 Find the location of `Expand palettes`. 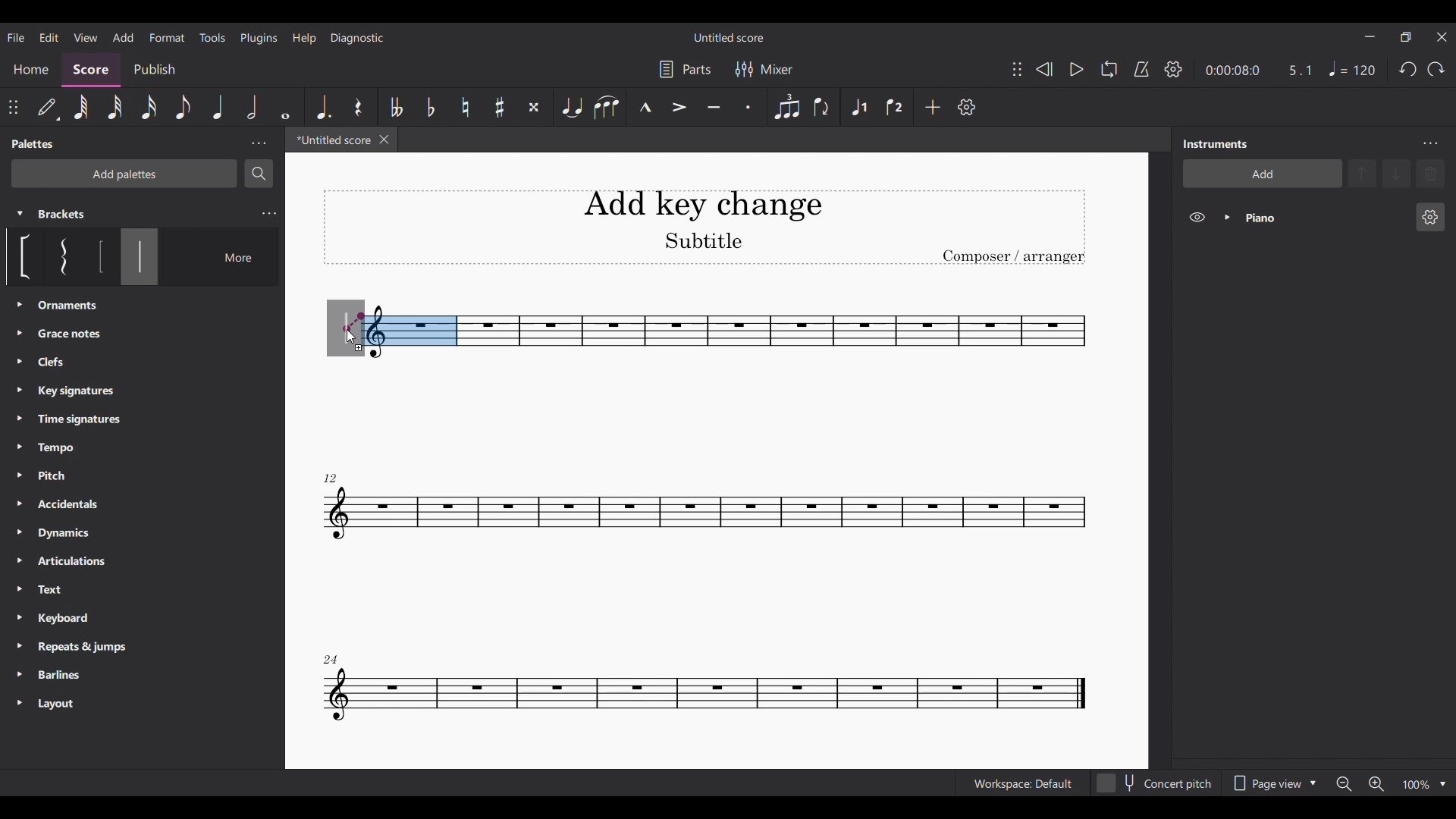

Expand palettes is located at coordinates (20, 504).